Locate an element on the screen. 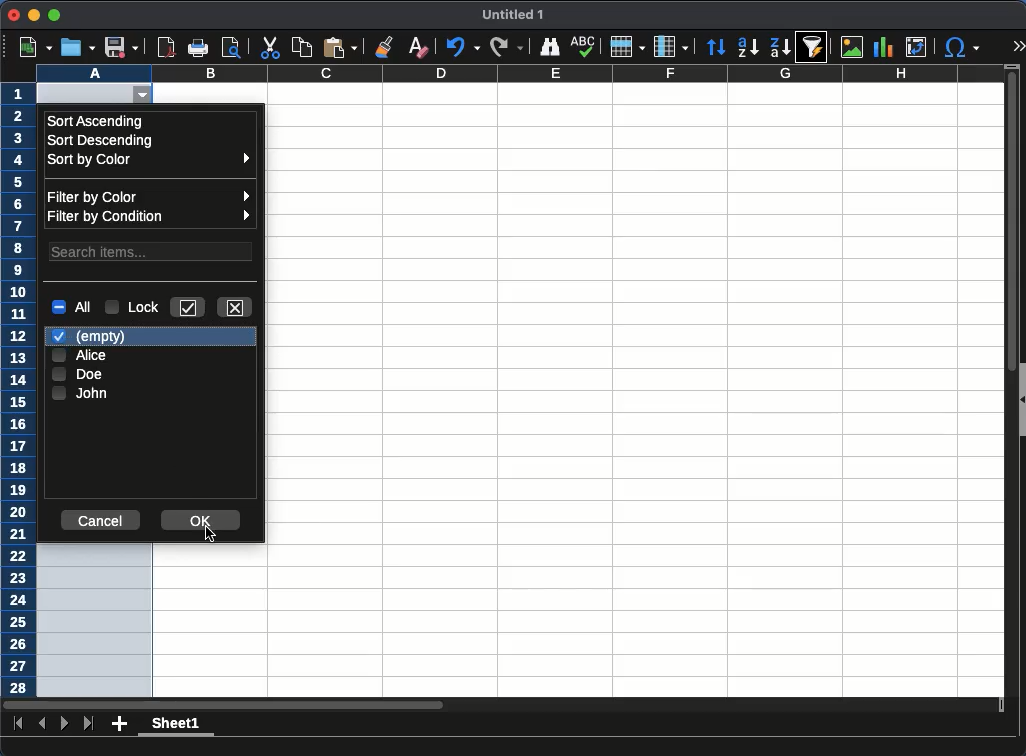  search is located at coordinates (152, 250).